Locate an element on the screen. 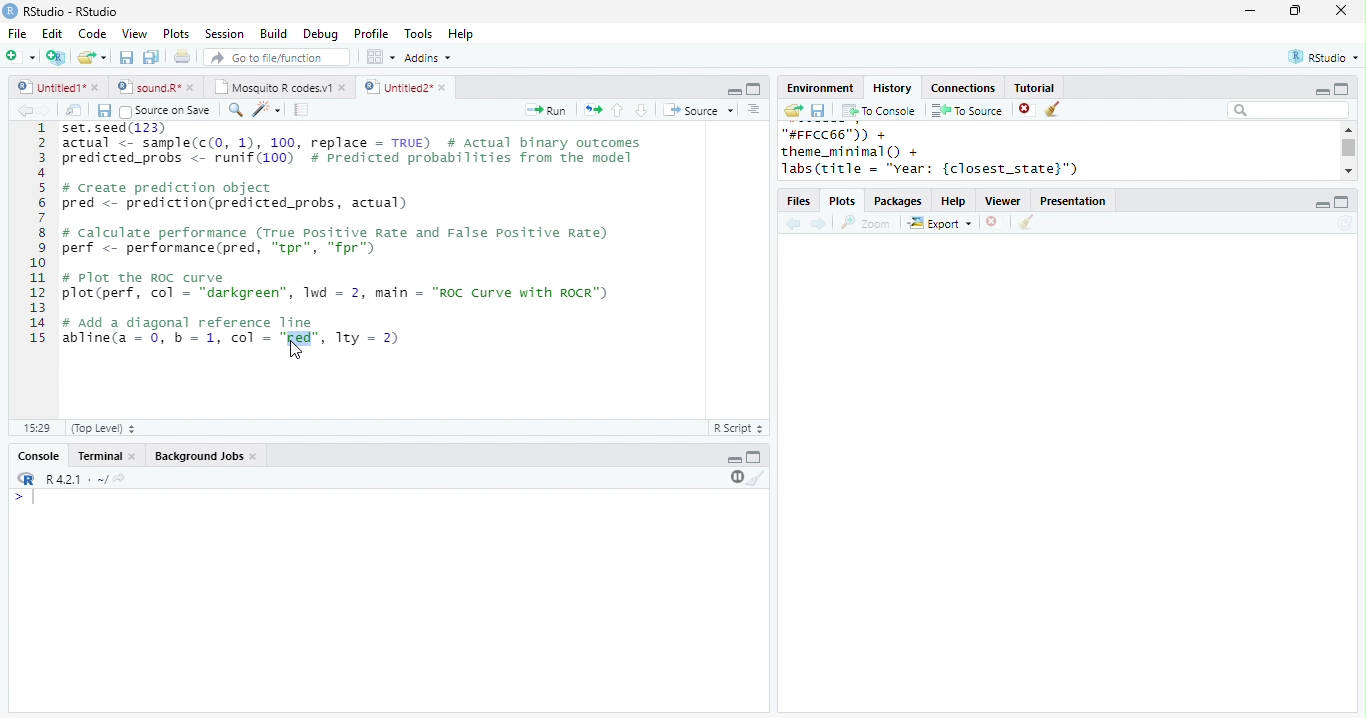  scroll up is located at coordinates (1347, 129).